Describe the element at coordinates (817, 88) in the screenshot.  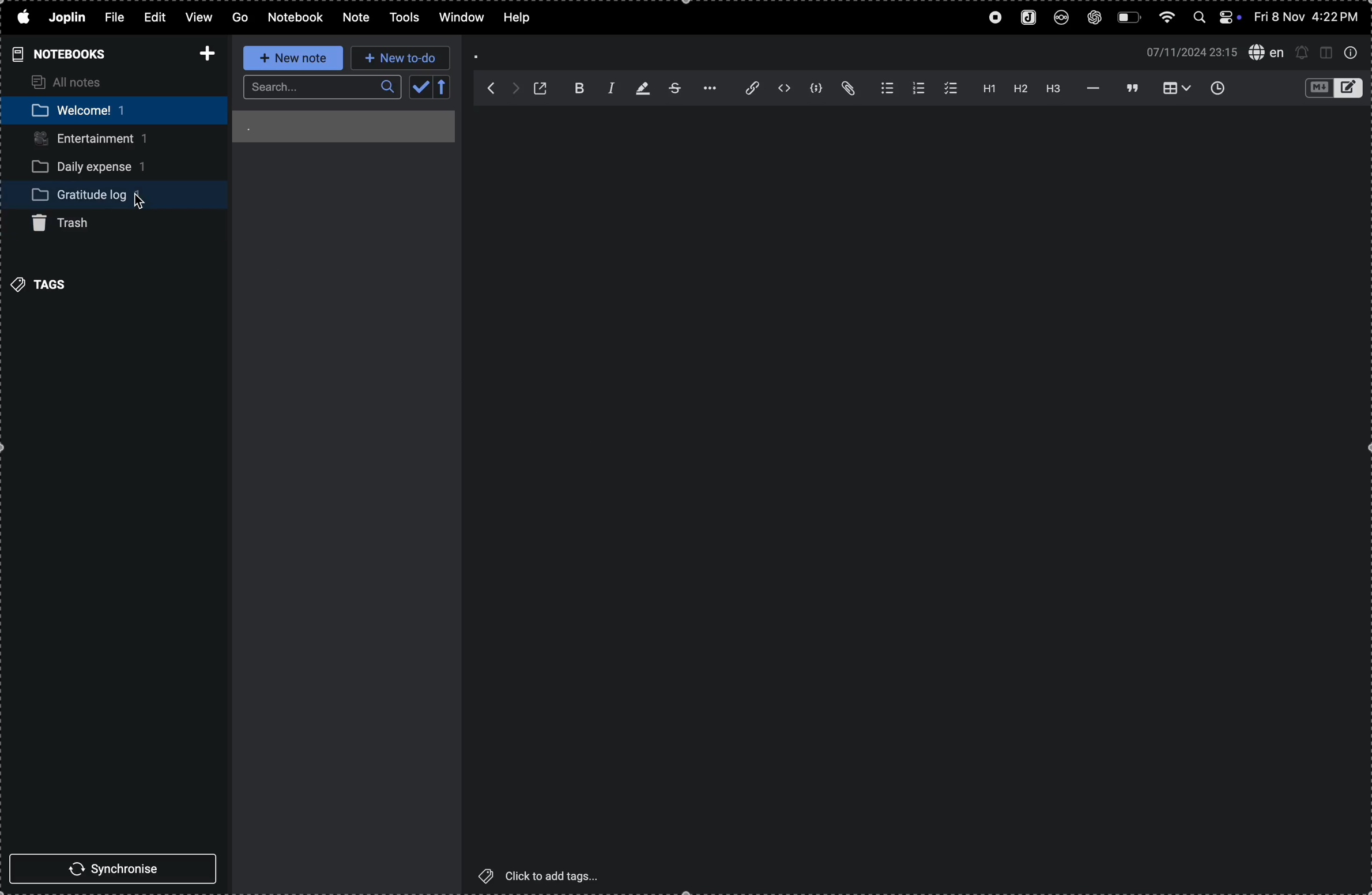
I see `code block` at that location.